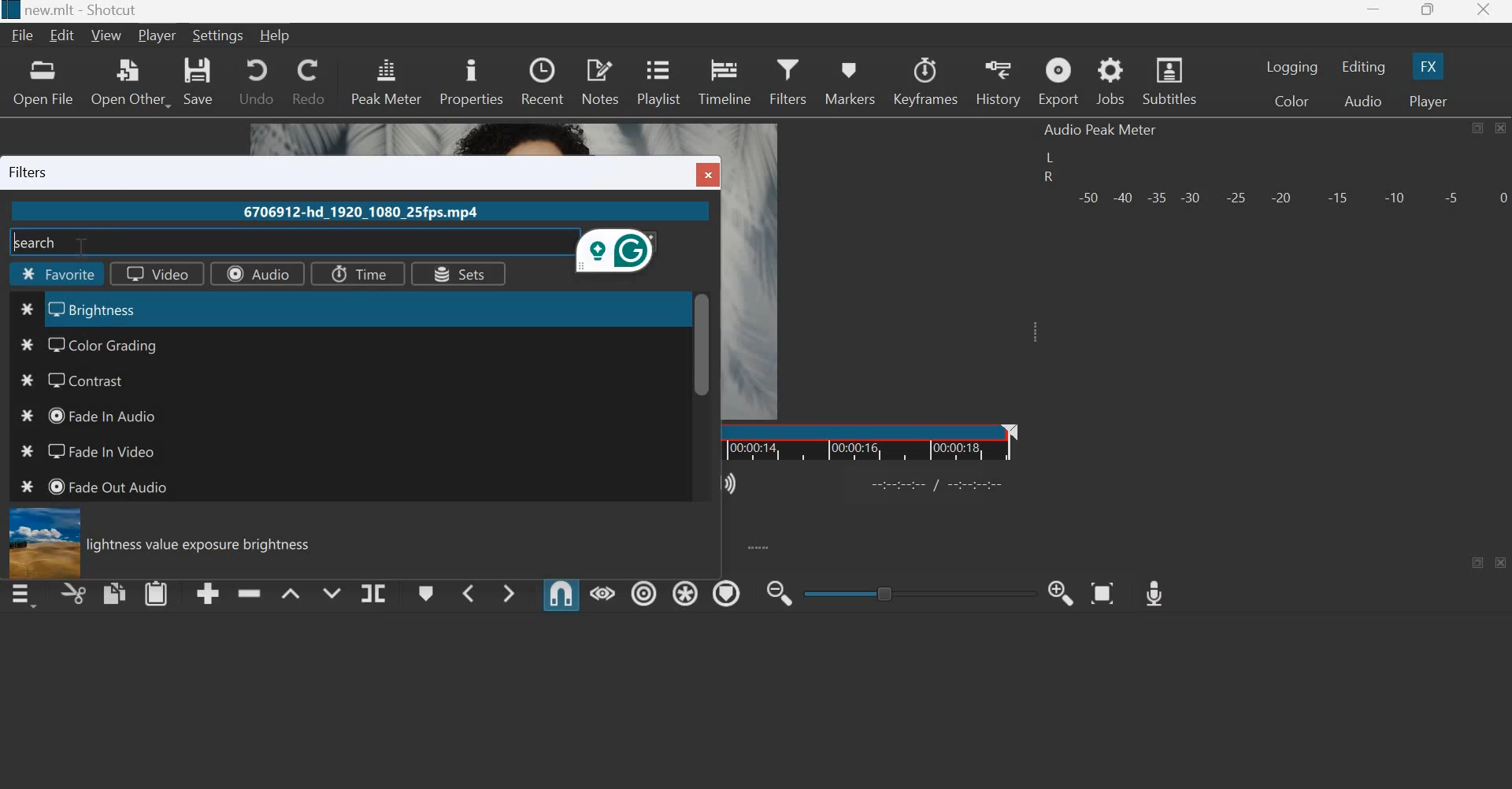 Image resolution: width=1512 pixels, height=789 pixels. What do you see at coordinates (1112, 82) in the screenshot?
I see `jobs` at bounding box center [1112, 82].